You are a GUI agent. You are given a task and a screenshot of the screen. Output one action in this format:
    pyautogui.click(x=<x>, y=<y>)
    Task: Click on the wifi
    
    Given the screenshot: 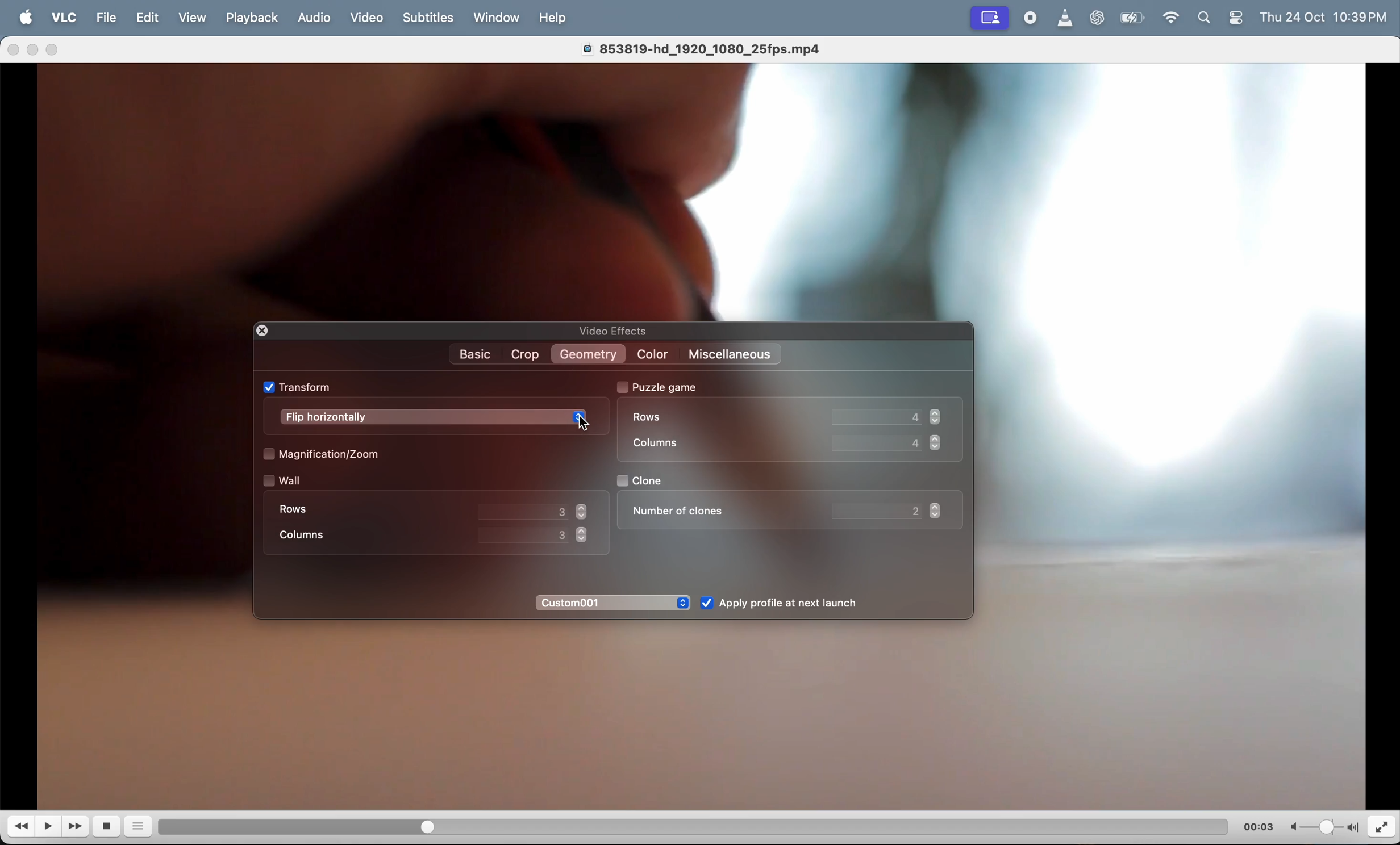 What is the action you would take?
    pyautogui.click(x=1173, y=20)
    